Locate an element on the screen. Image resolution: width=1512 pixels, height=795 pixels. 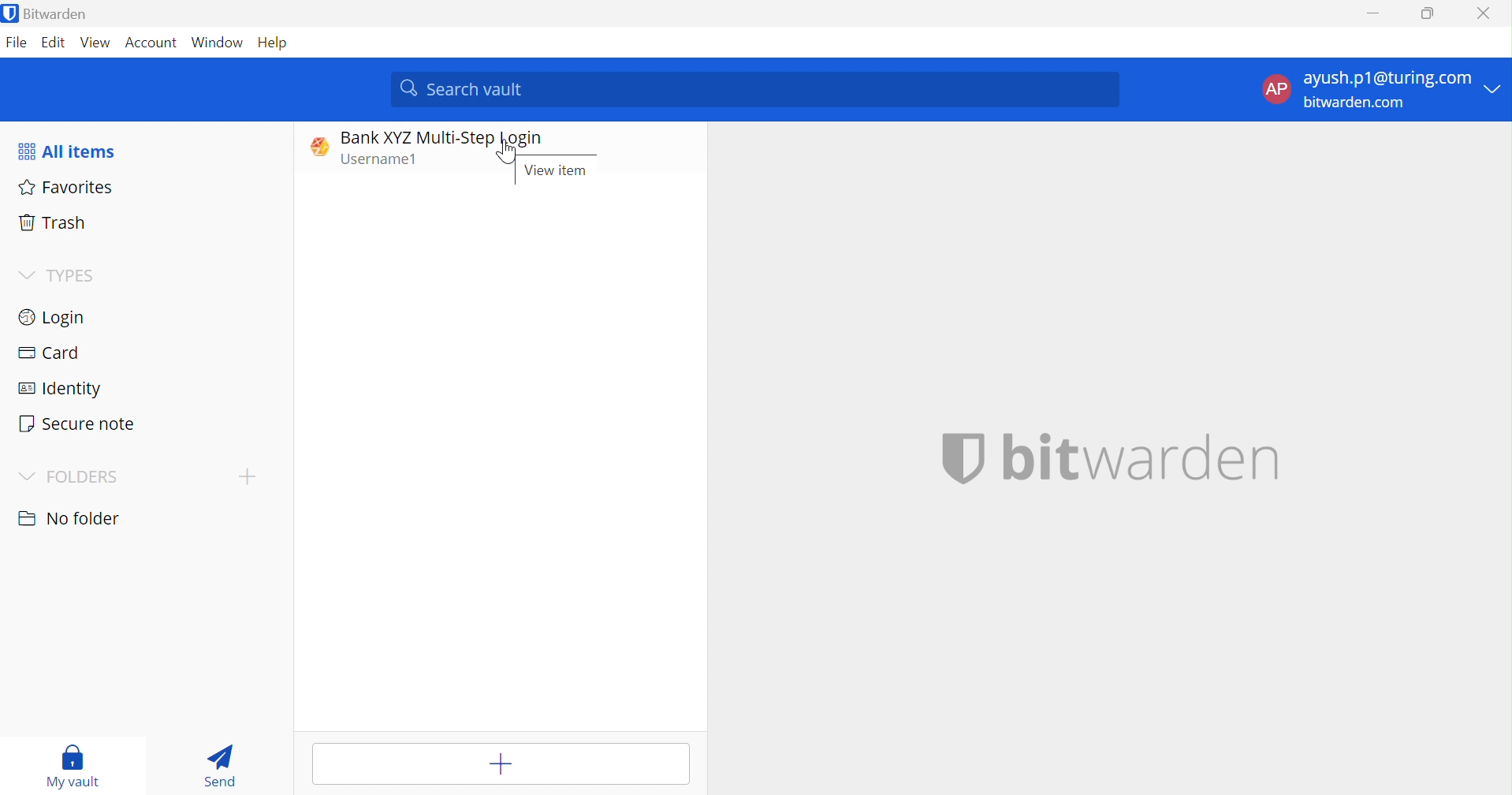
FOLDERS is located at coordinates (84, 477).